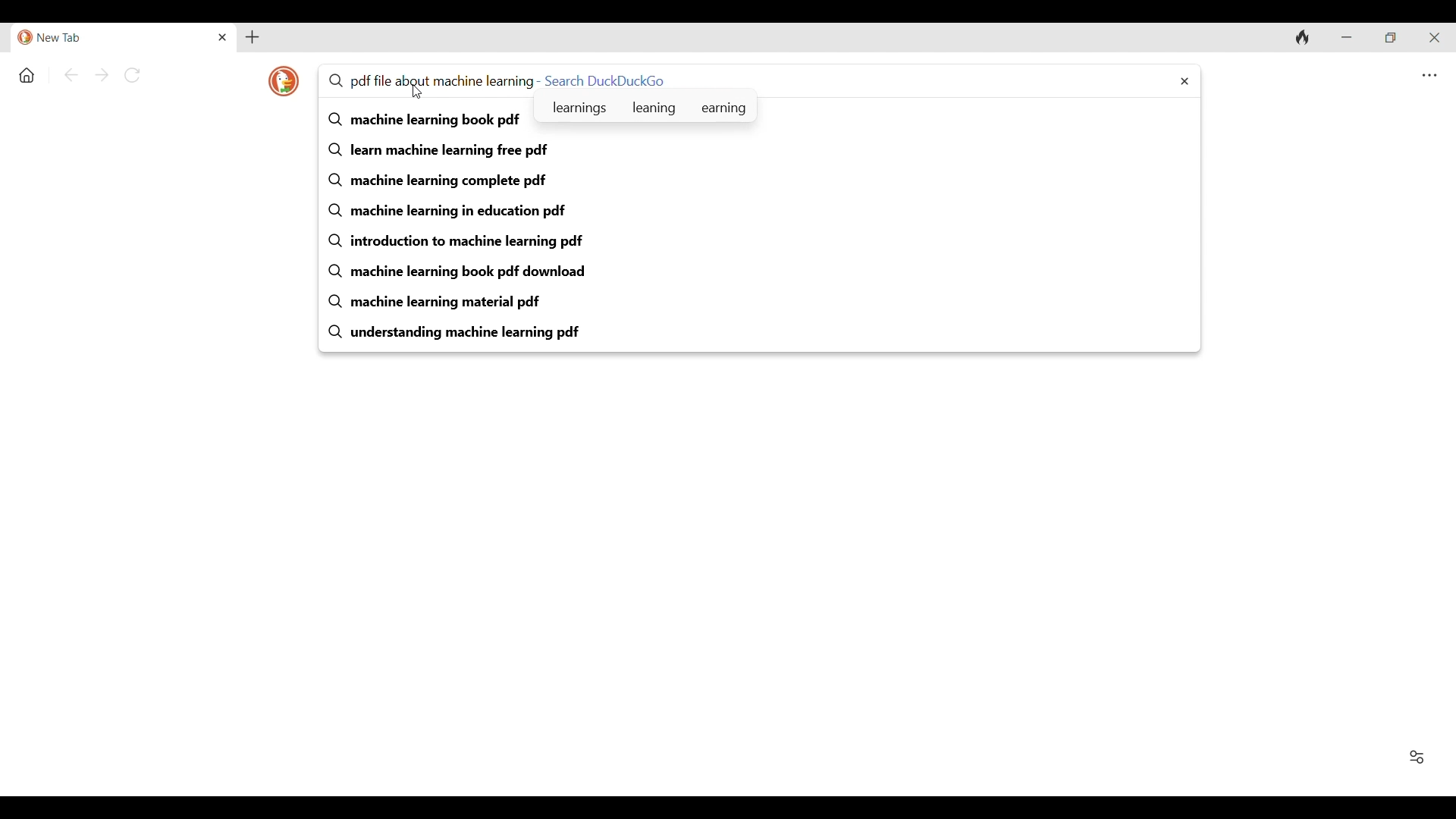 This screenshot has width=1456, height=819. I want to click on earning, so click(724, 106).